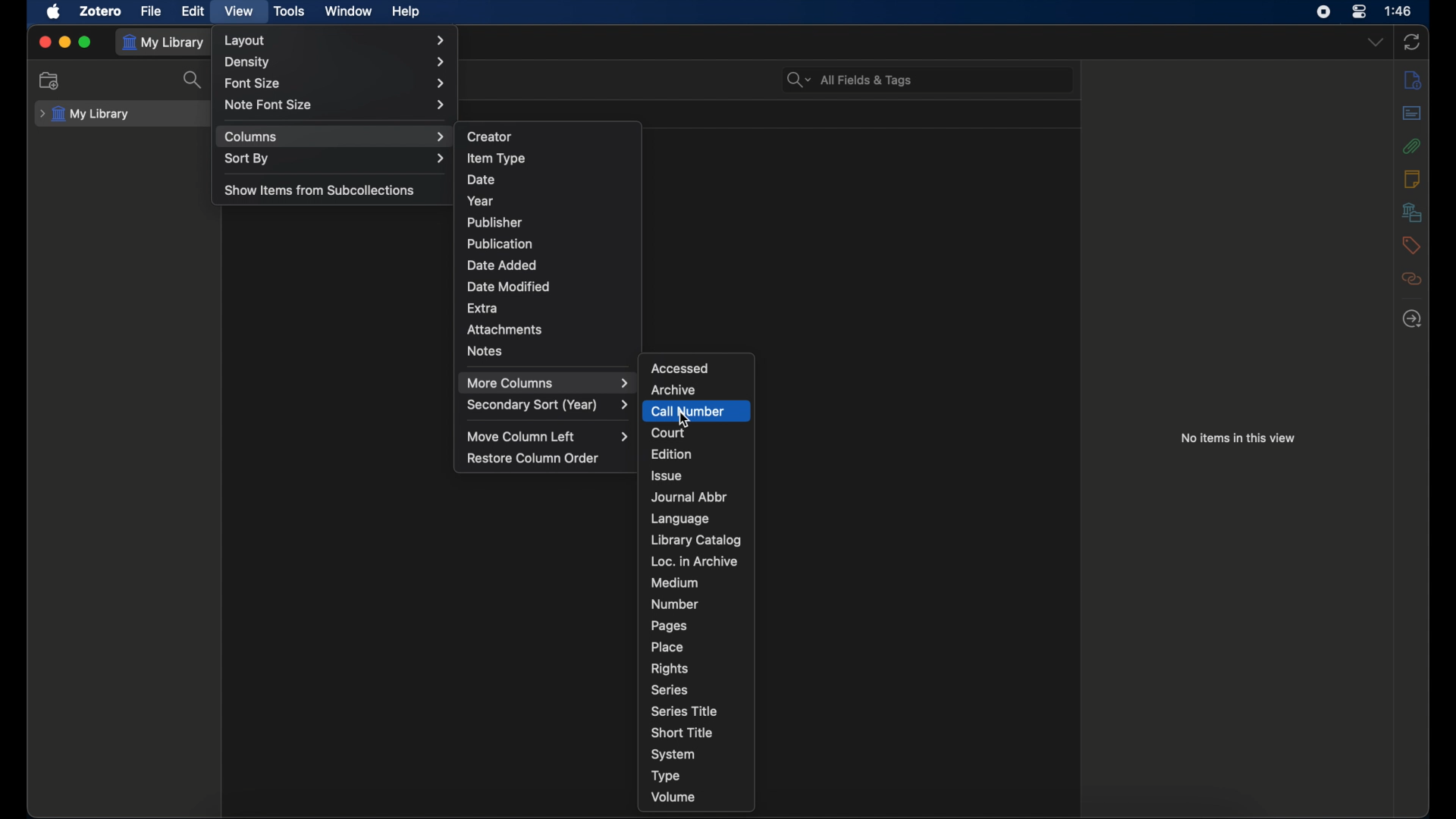 The image size is (1456, 819). I want to click on archive, so click(673, 390).